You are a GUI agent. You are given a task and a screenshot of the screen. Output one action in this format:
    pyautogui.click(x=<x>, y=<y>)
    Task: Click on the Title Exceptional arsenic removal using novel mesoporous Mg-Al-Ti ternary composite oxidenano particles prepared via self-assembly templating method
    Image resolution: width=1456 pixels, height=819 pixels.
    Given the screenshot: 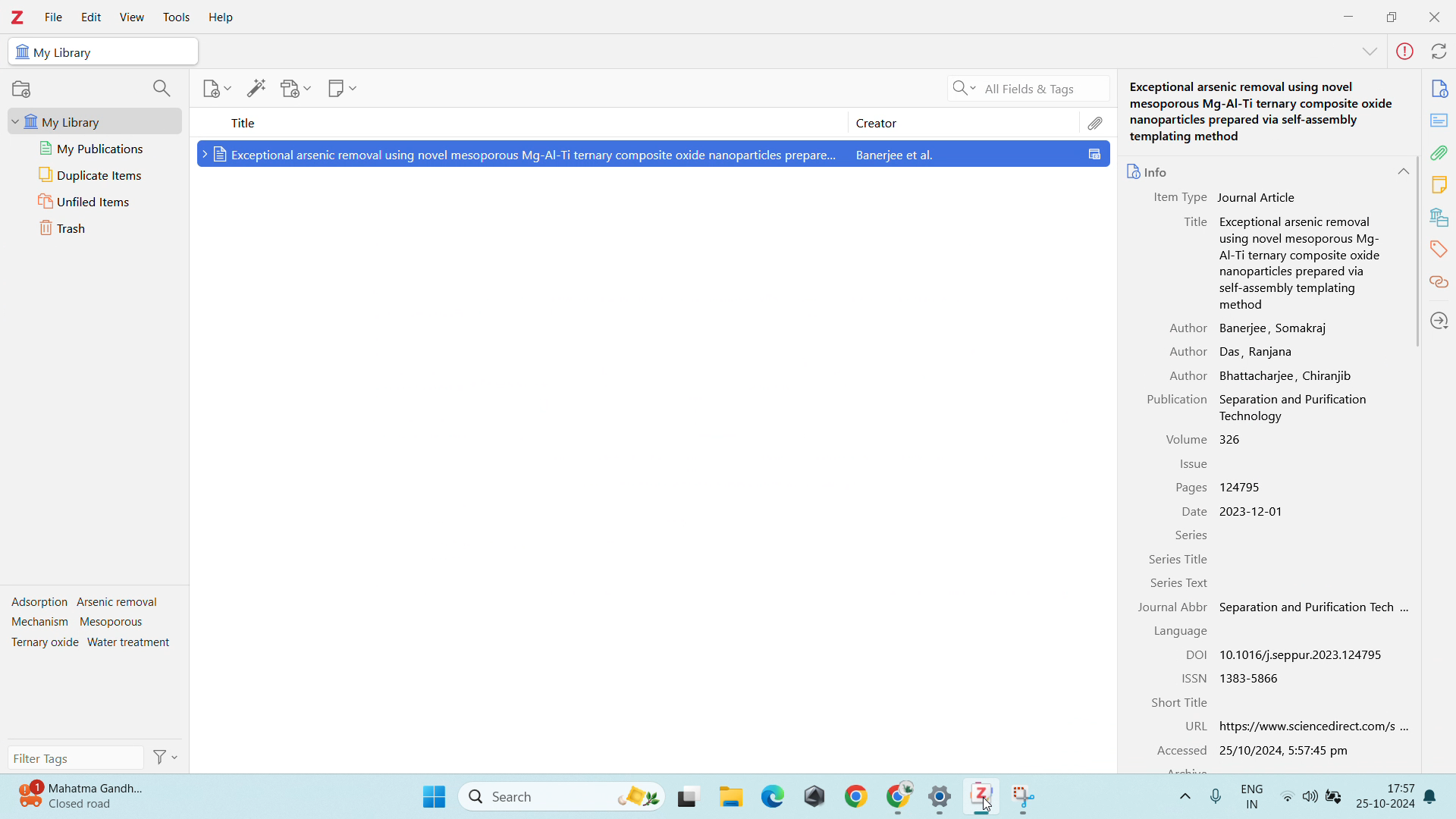 What is the action you would take?
    pyautogui.click(x=1275, y=262)
    